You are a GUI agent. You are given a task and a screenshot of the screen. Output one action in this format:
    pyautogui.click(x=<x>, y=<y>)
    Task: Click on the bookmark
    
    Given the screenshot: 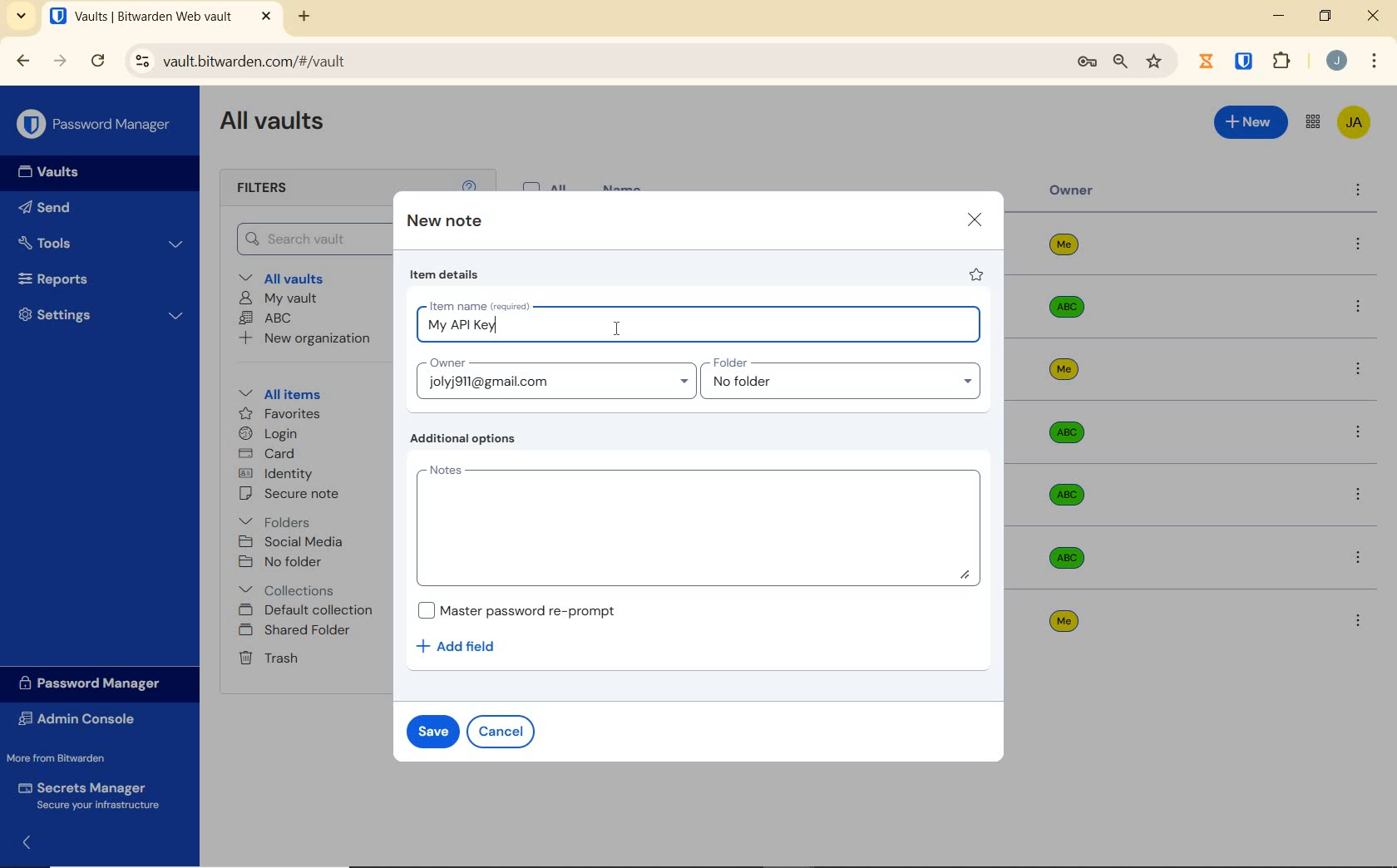 What is the action you would take?
    pyautogui.click(x=1154, y=62)
    